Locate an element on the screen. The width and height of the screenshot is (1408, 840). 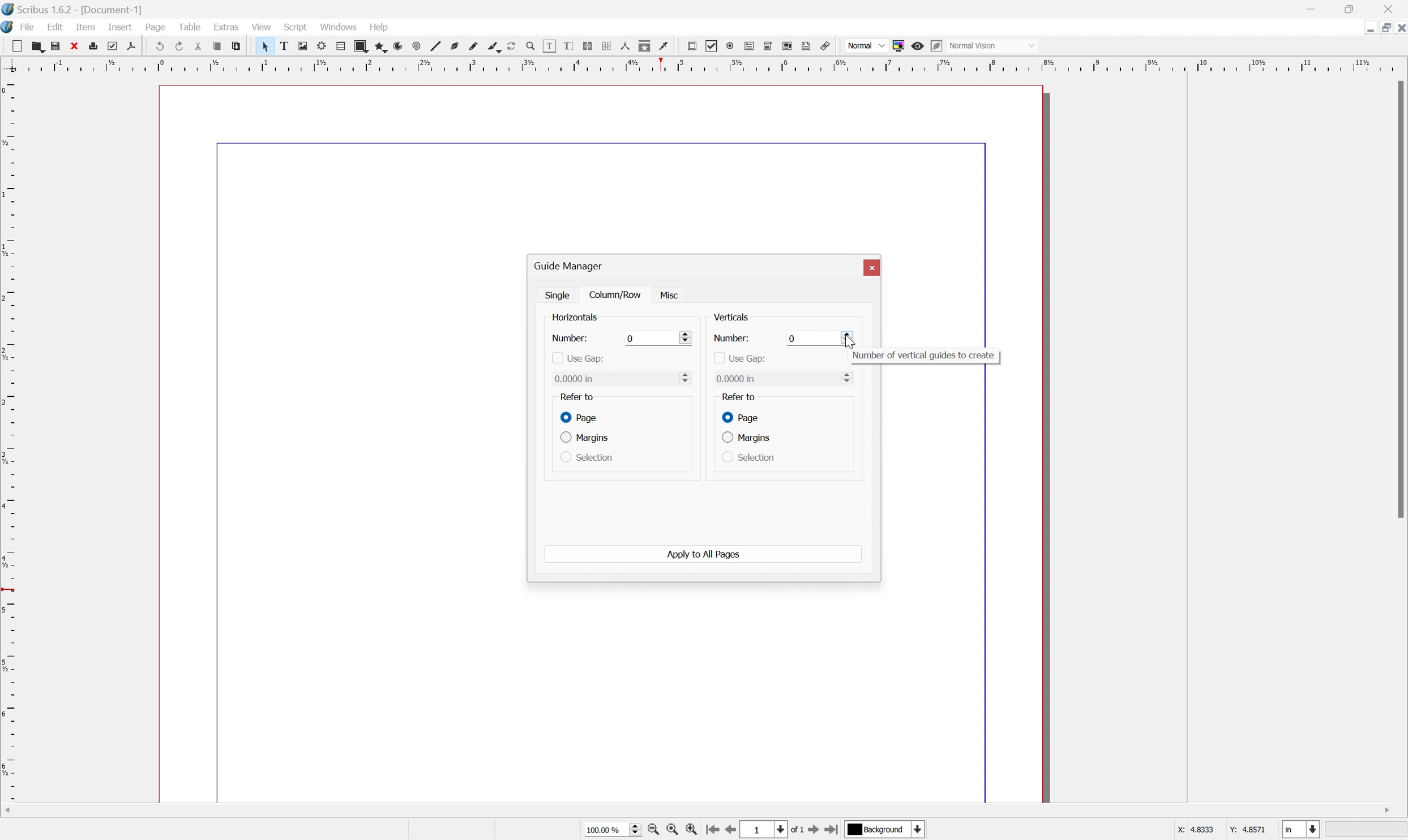
edit in preview mode is located at coordinates (938, 45).